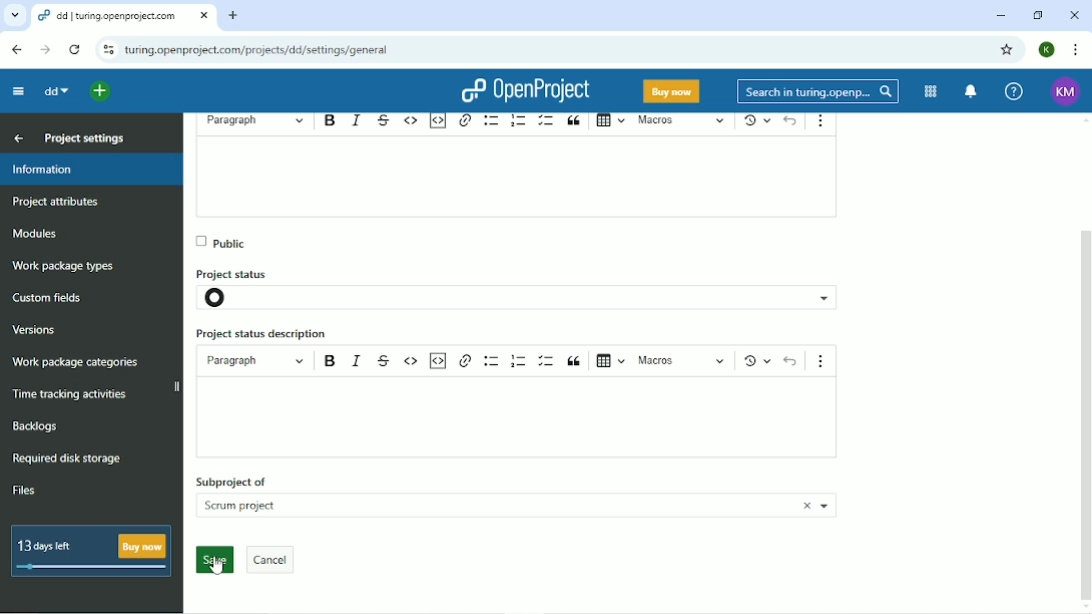  Describe the element at coordinates (1075, 15) in the screenshot. I see `Close` at that location.